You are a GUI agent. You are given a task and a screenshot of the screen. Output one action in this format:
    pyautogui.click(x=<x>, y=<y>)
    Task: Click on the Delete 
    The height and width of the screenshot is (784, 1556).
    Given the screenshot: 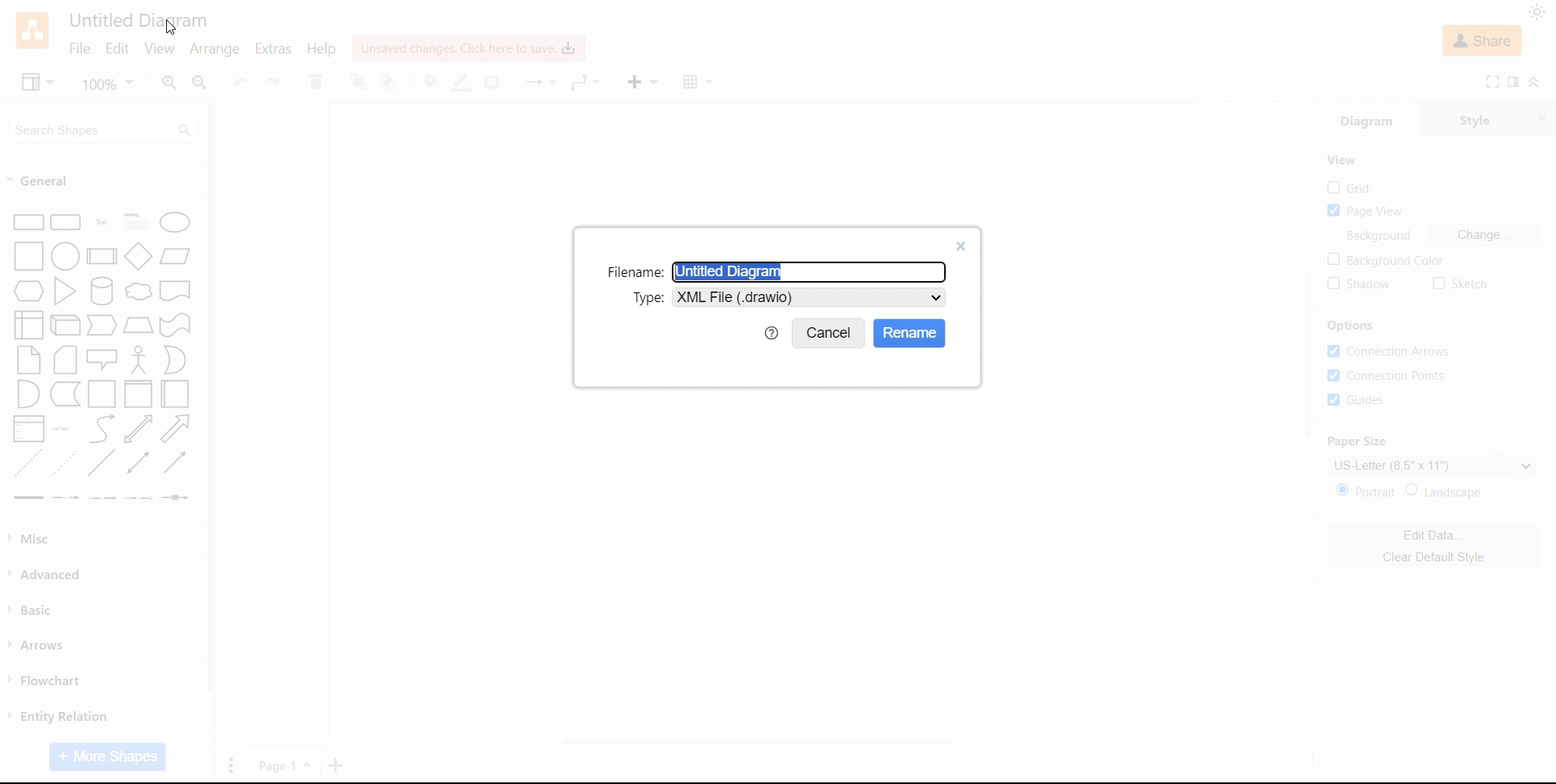 What is the action you would take?
    pyautogui.click(x=316, y=82)
    